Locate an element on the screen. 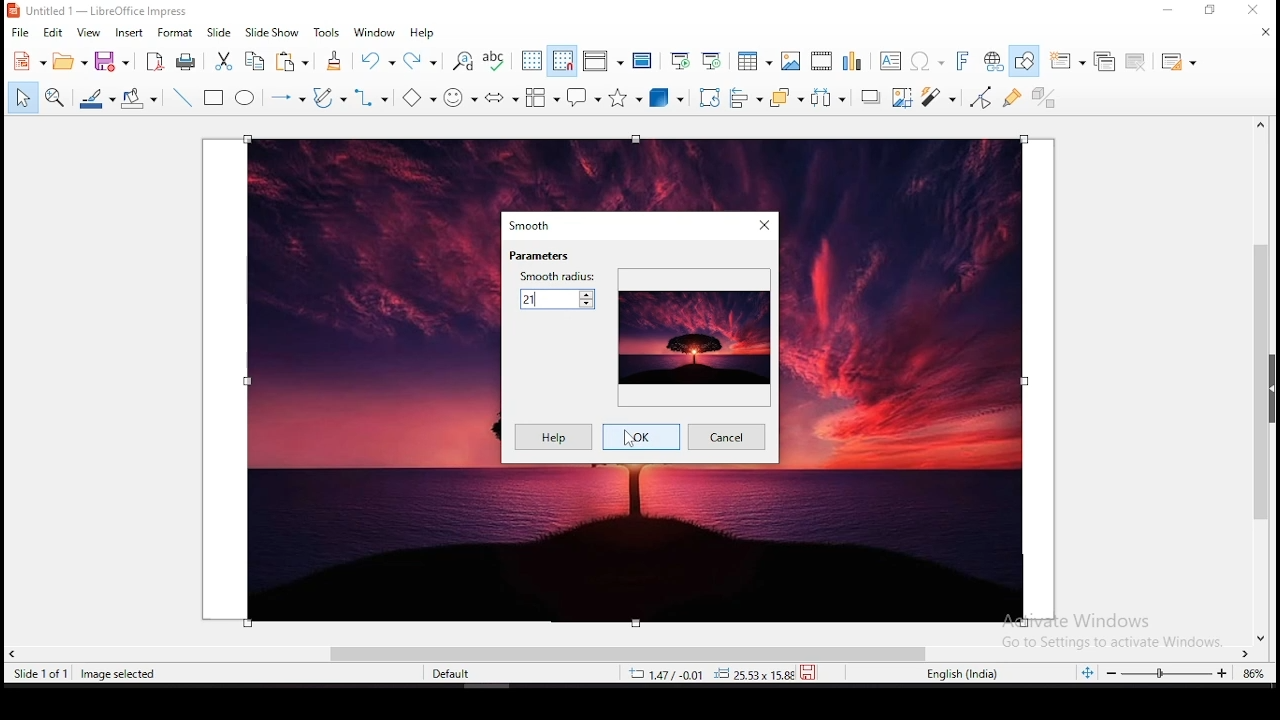 Image resolution: width=1280 pixels, height=720 pixels. display views is located at coordinates (604, 62).